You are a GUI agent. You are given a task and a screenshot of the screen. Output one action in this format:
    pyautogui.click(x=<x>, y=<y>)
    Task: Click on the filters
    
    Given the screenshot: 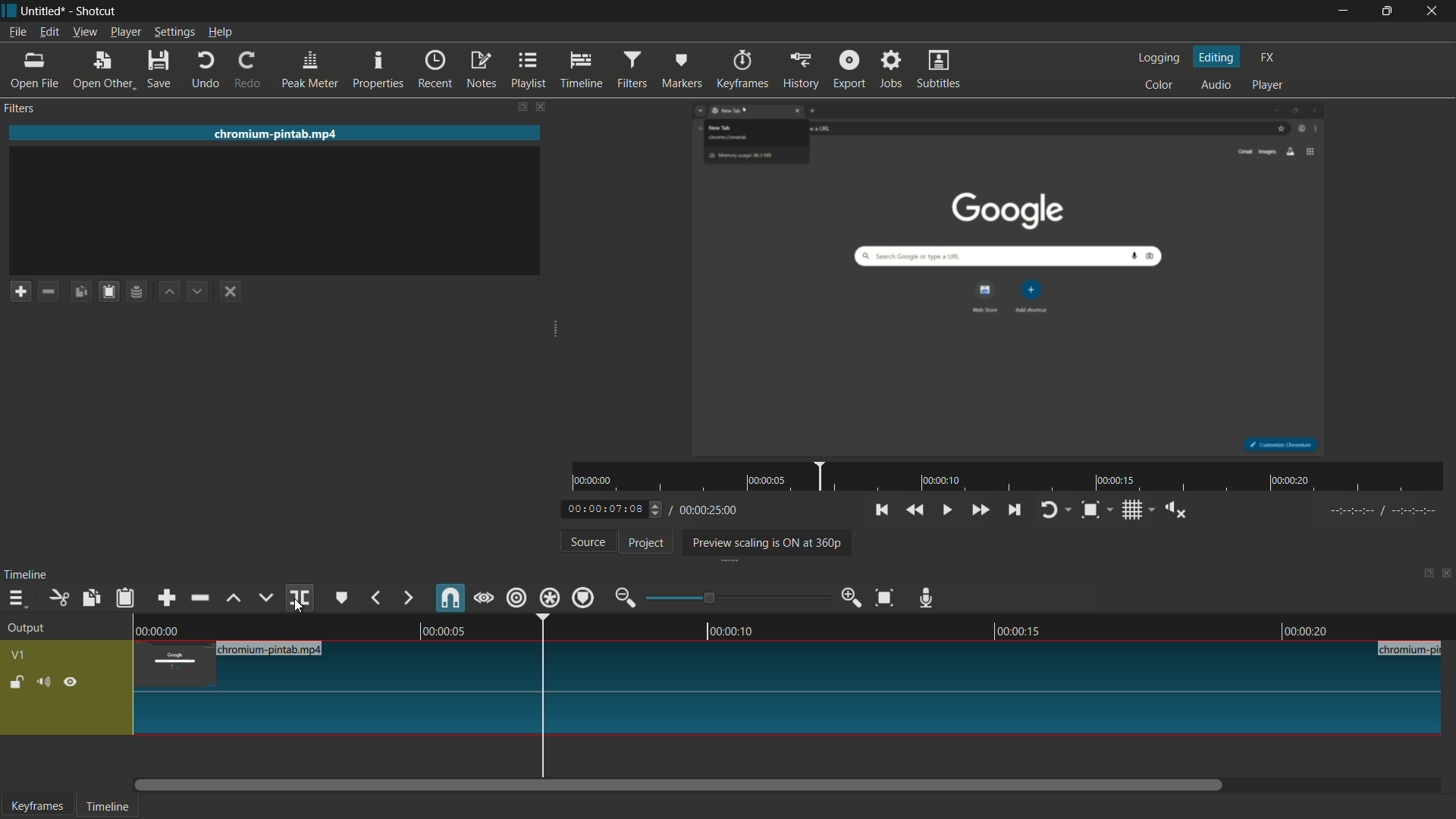 What is the action you would take?
    pyautogui.click(x=630, y=71)
    